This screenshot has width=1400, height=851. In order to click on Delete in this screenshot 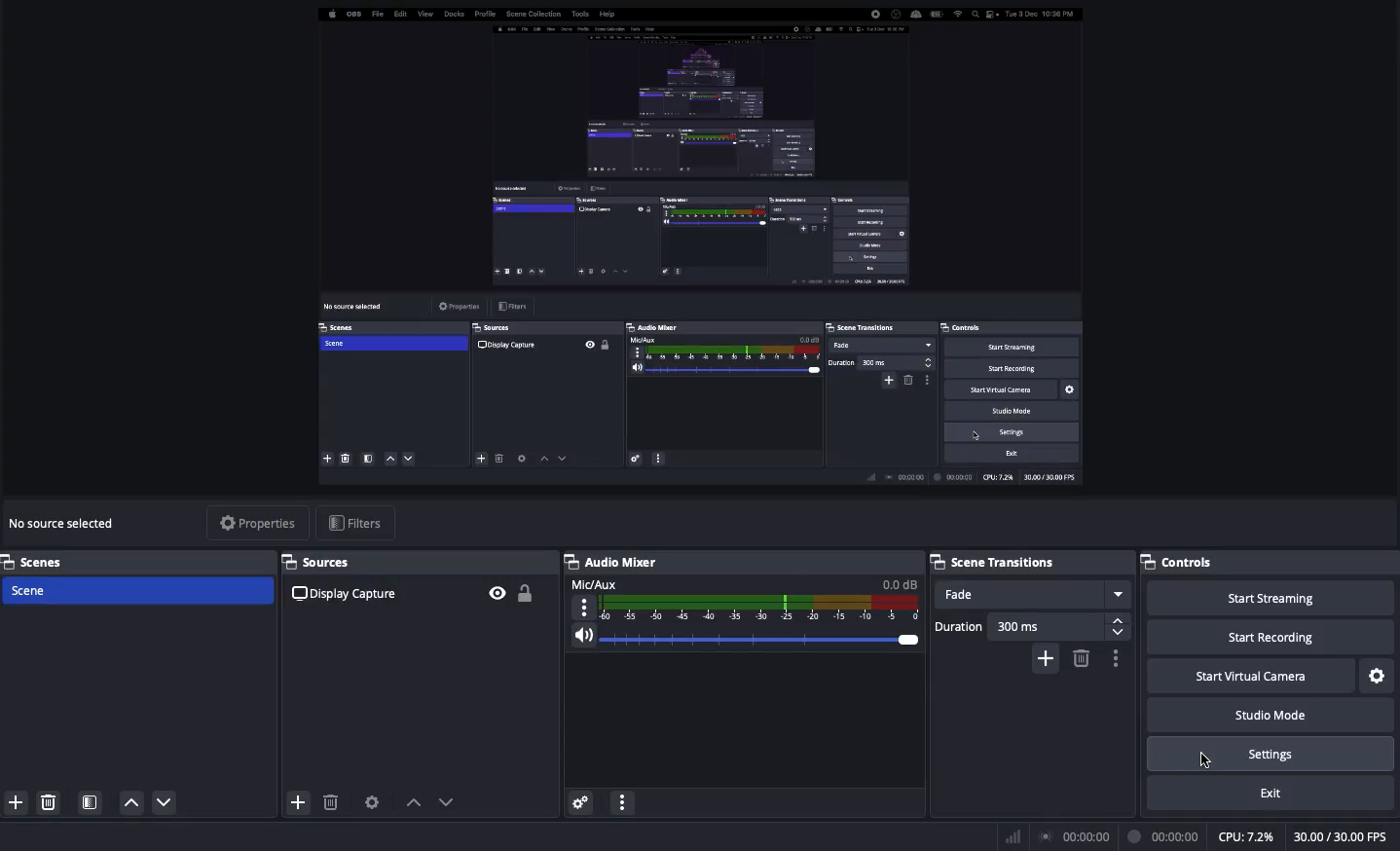, I will do `click(51, 801)`.